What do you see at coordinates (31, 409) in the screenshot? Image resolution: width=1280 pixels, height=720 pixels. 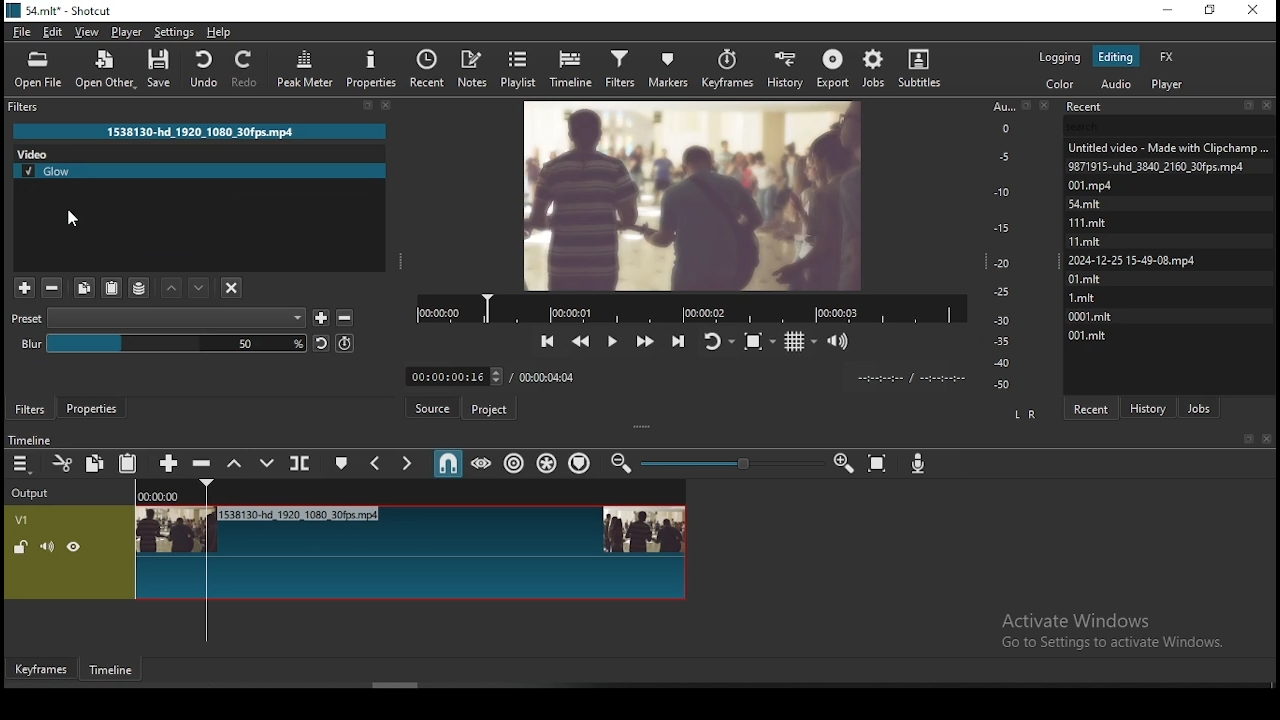 I see `filters` at bounding box center [31, 409].